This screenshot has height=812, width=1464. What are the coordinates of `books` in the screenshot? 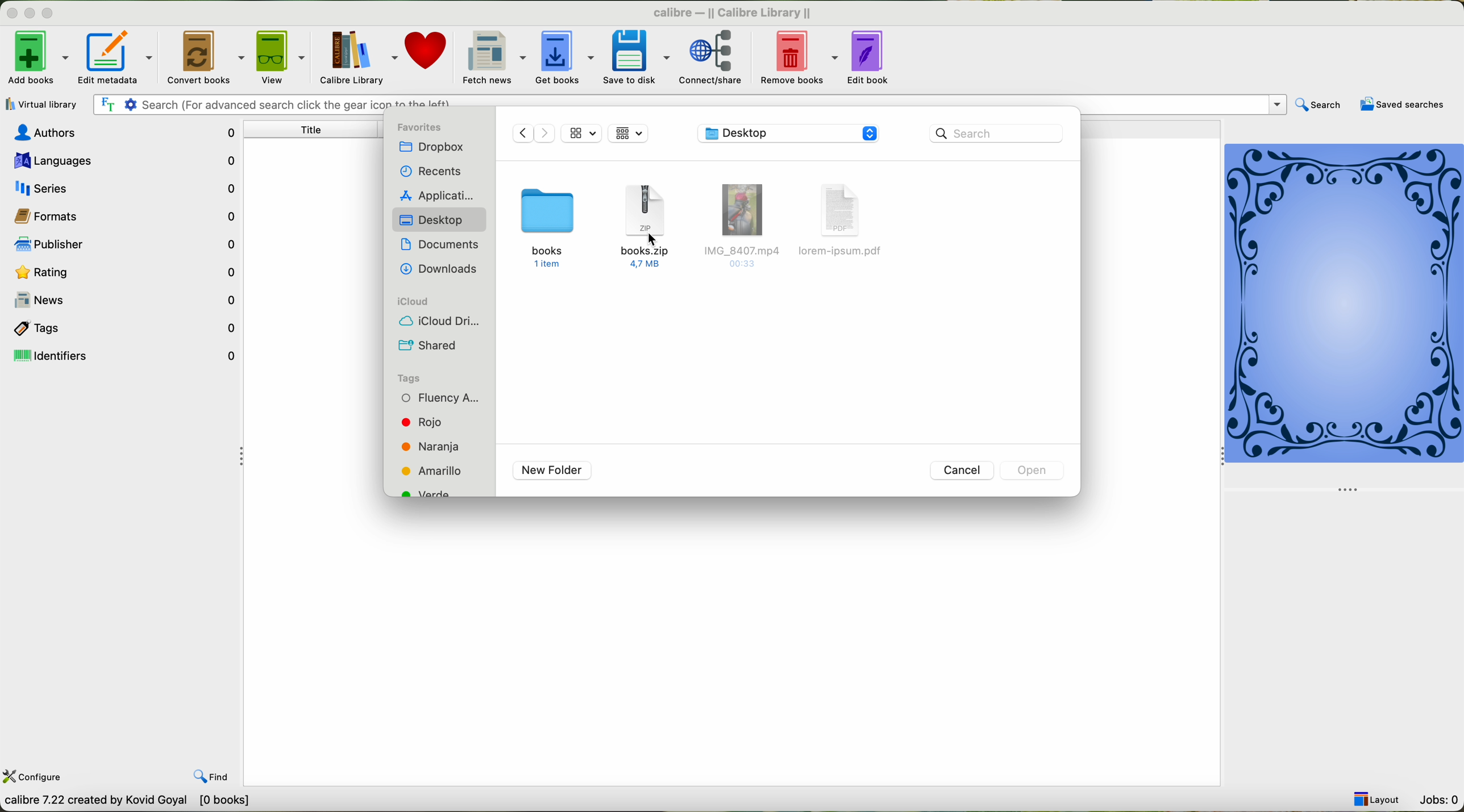 It's located at (543, 228).